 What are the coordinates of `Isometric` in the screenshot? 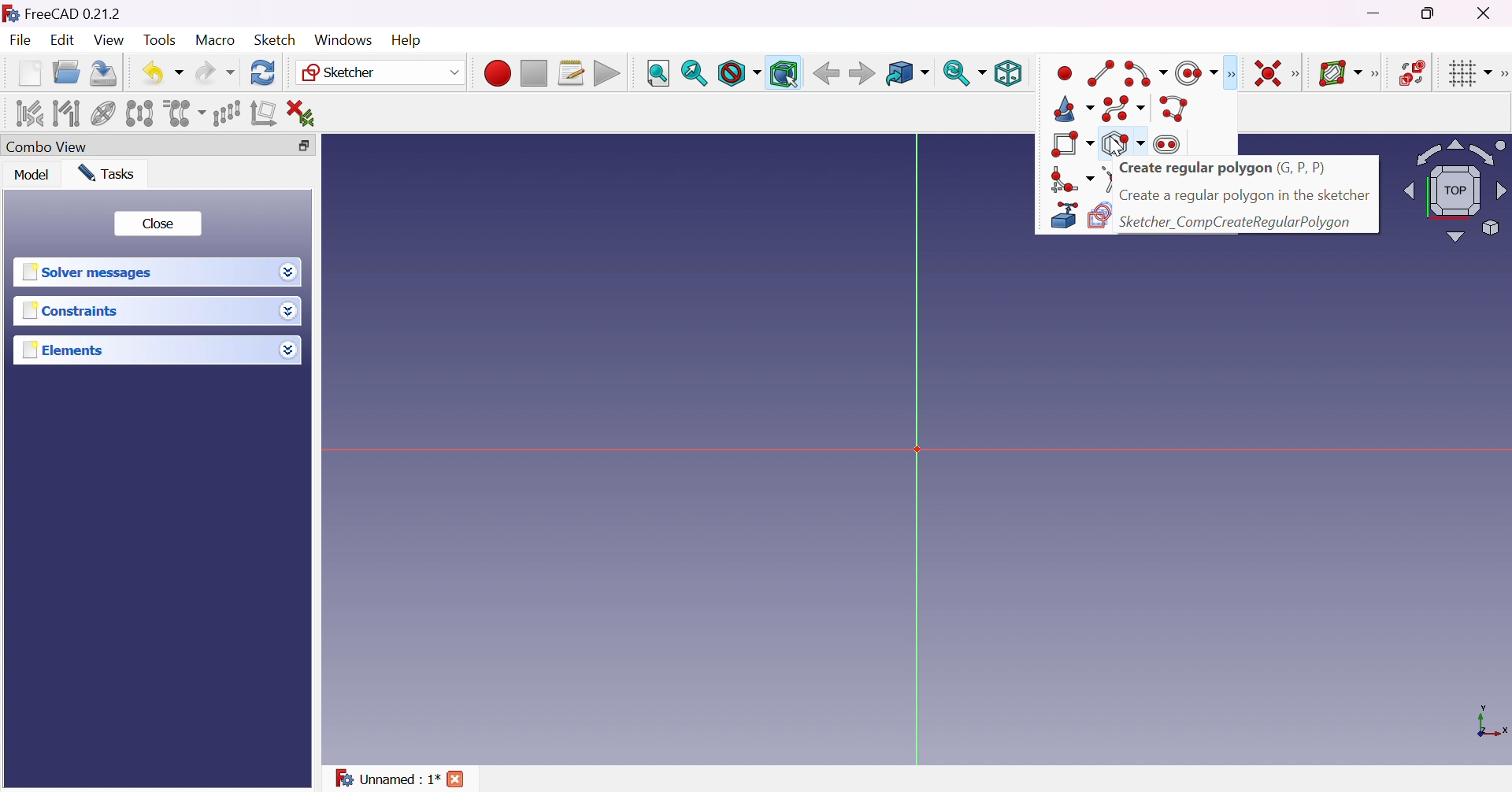 It's located at (1008, 72).